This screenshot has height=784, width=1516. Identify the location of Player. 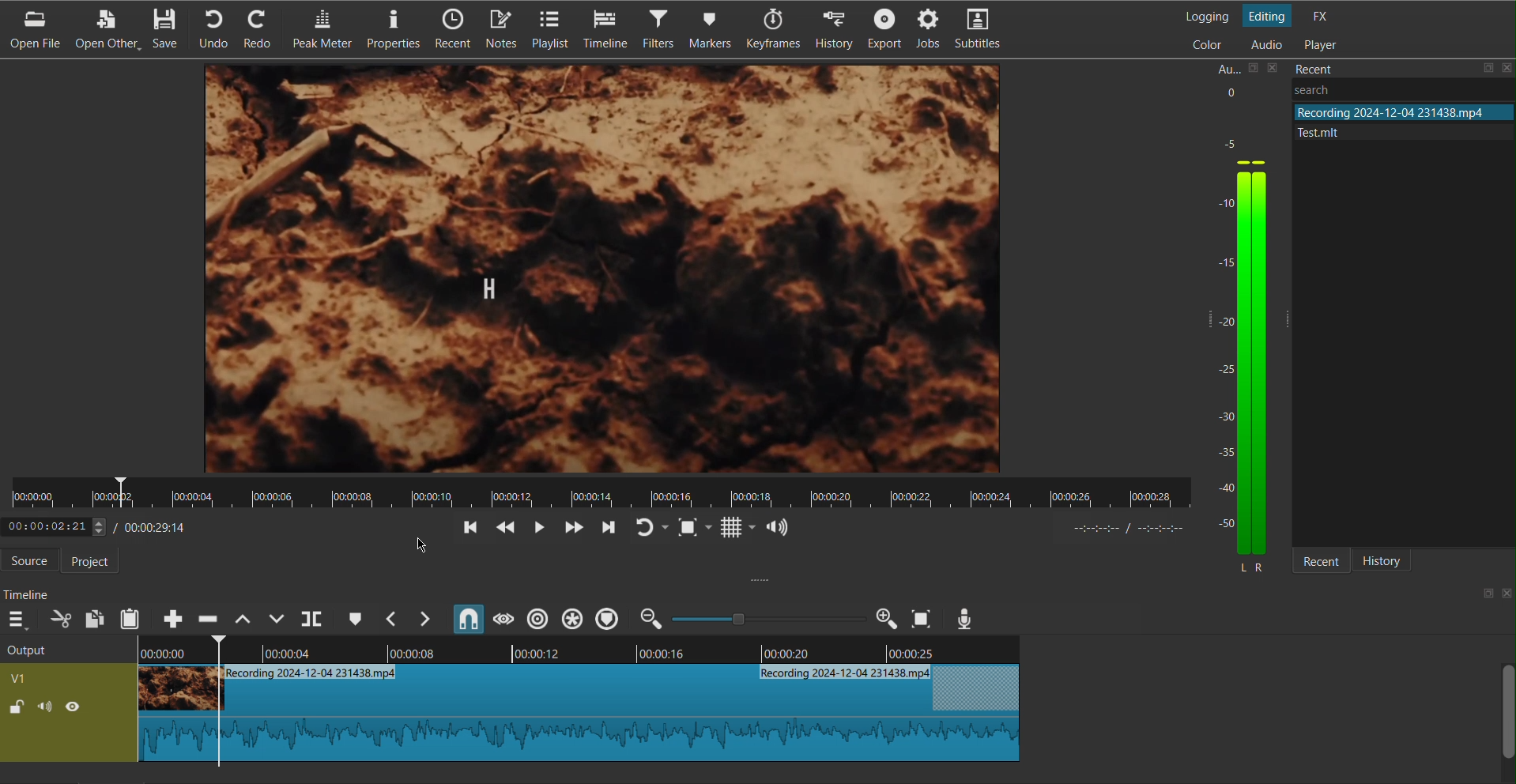
(1319, 43).